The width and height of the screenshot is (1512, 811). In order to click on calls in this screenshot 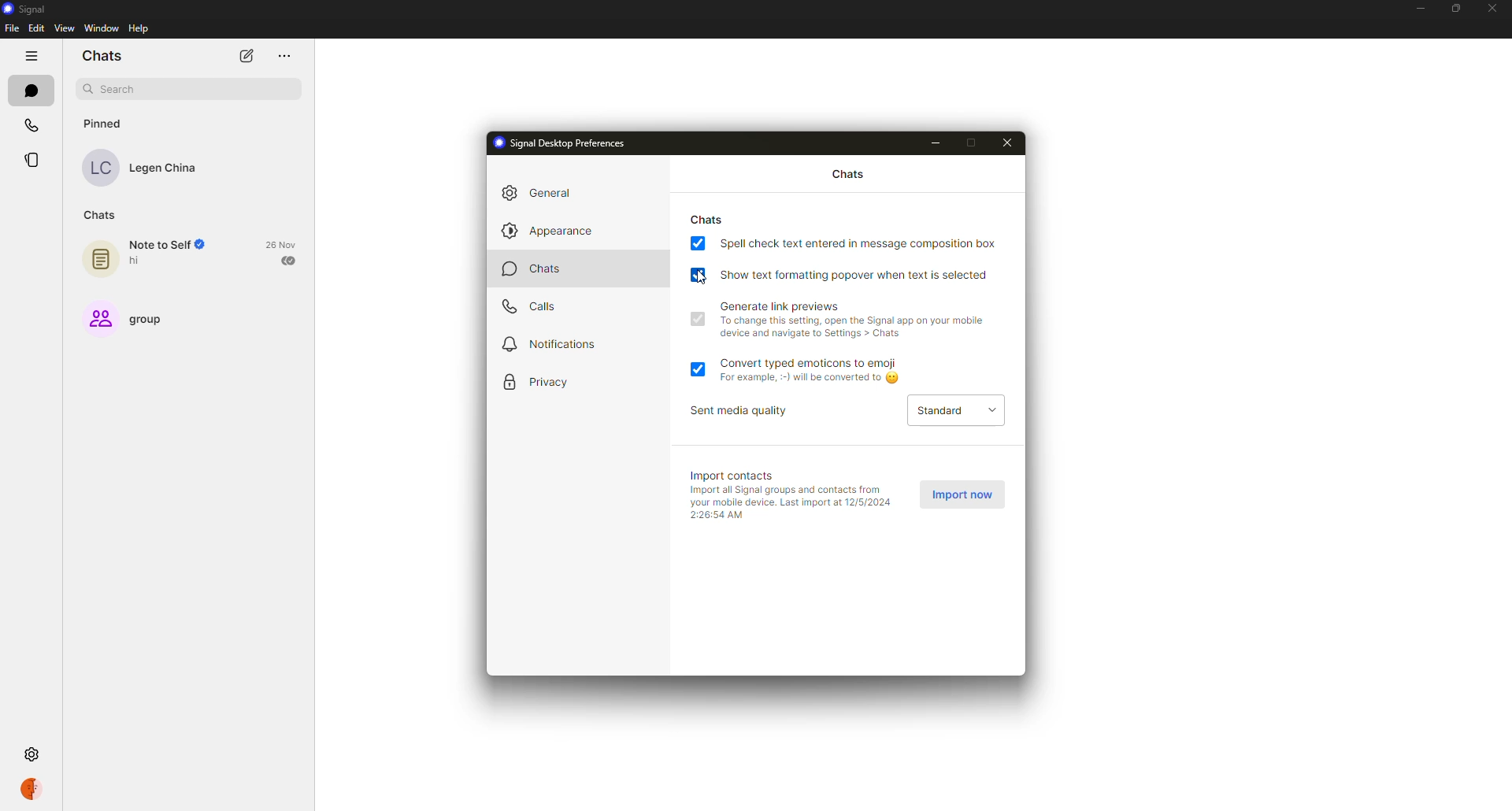, I will do `click(531, 309)`.